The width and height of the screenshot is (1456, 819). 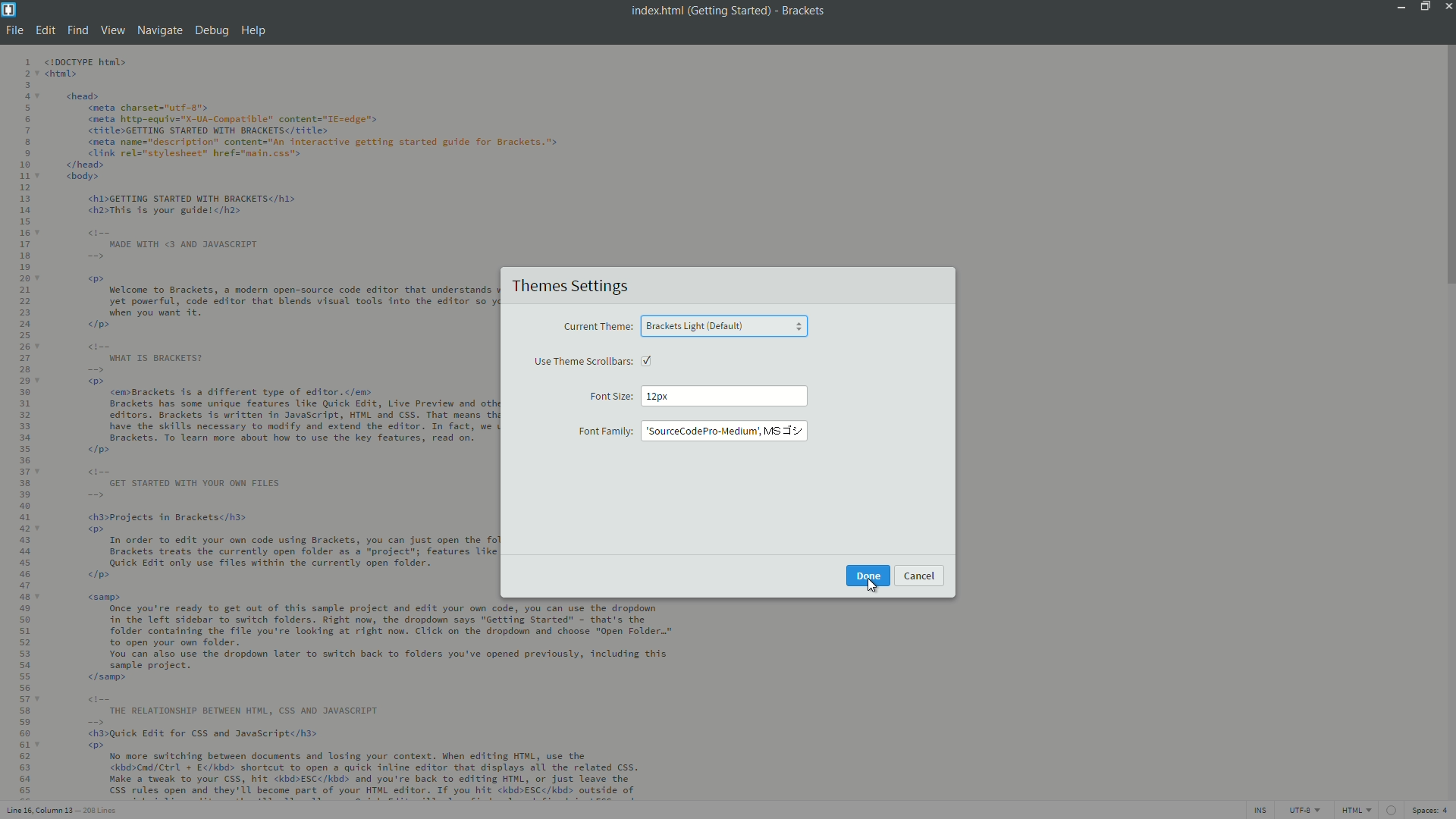 What do you see at coordinates (1447, 168) in the screenshot?
I see `scroll bar` at bounding box center [1447, 168].